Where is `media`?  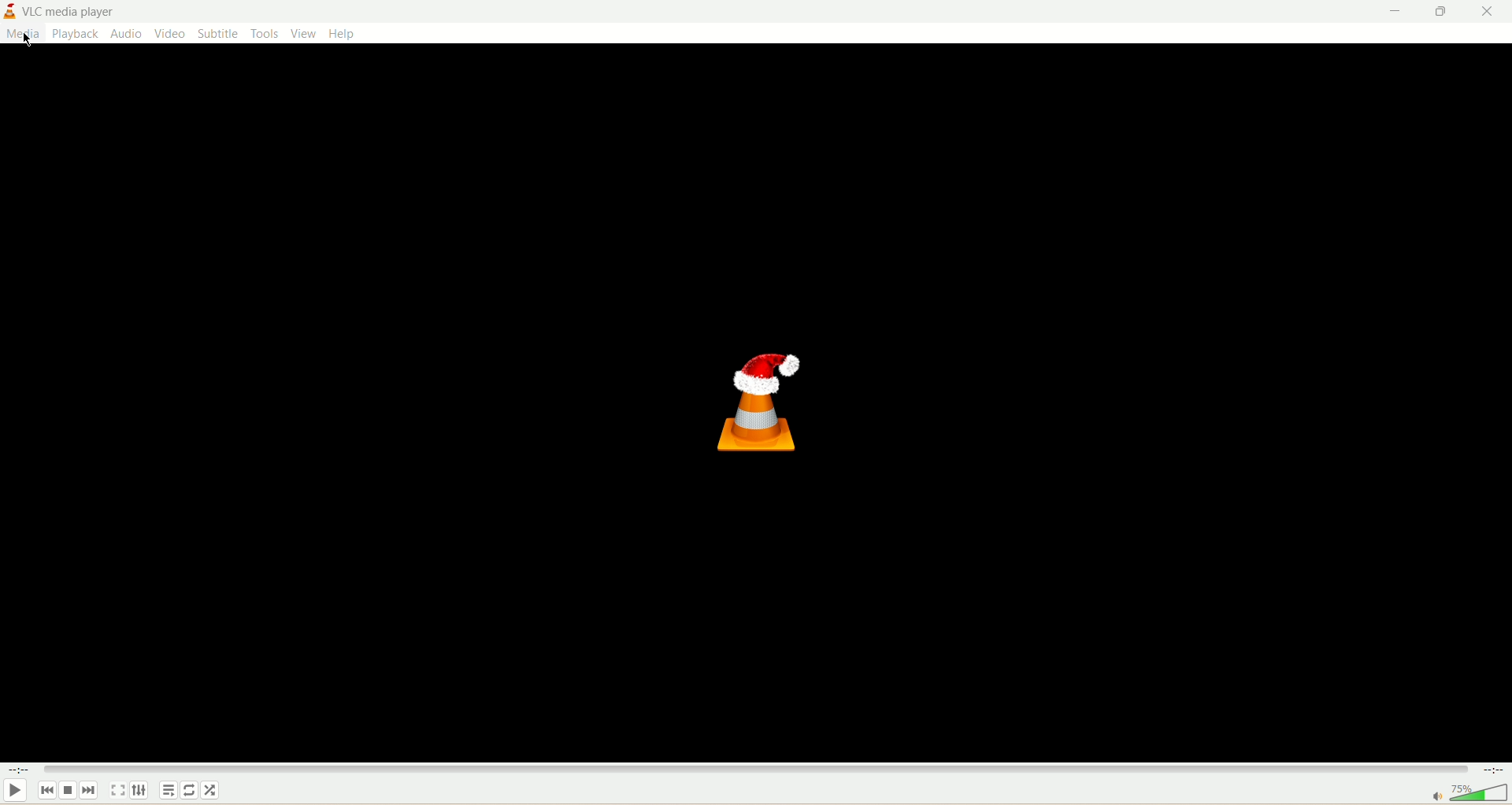 media is located at coordinates (23, 35).